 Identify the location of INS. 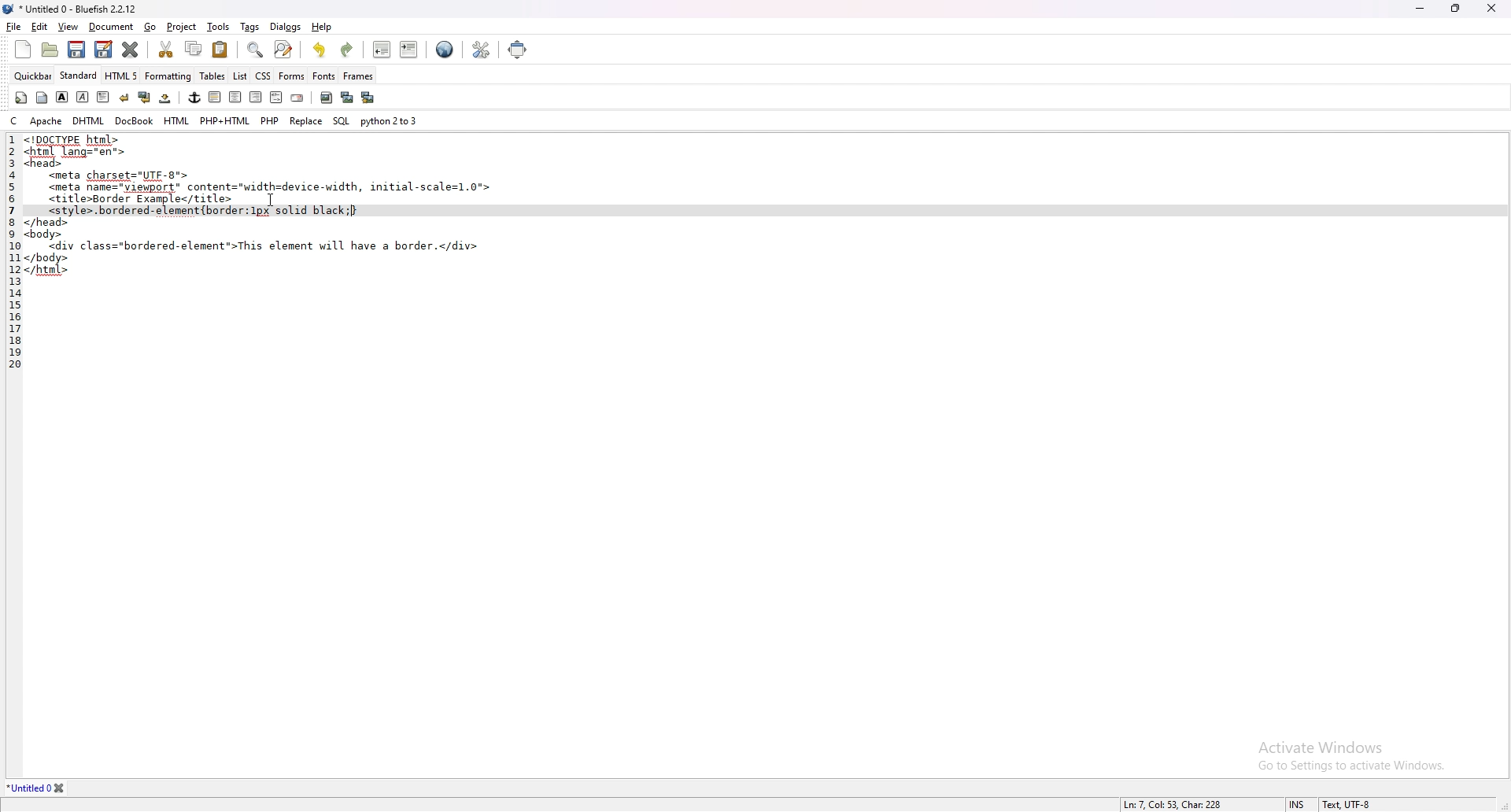
(1299, 804).